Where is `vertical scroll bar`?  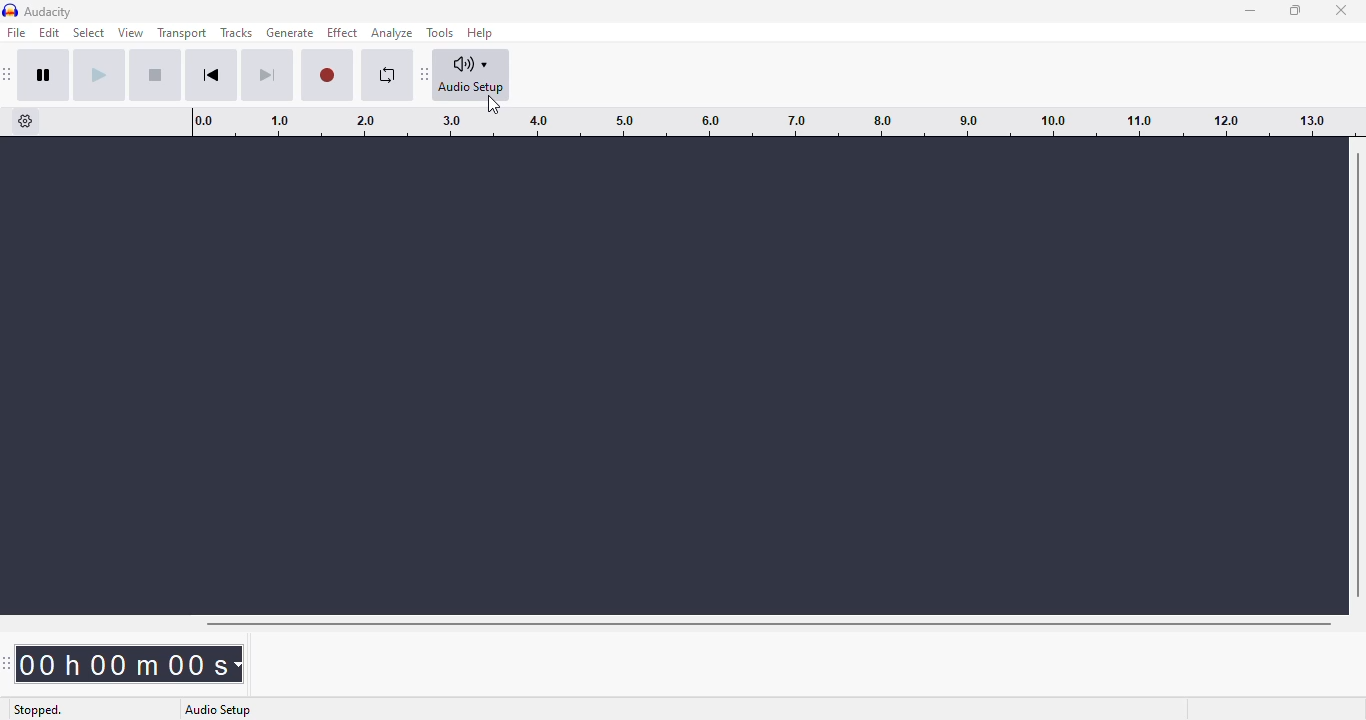 vertical scroll bar is located at coordinates (1357, 374).